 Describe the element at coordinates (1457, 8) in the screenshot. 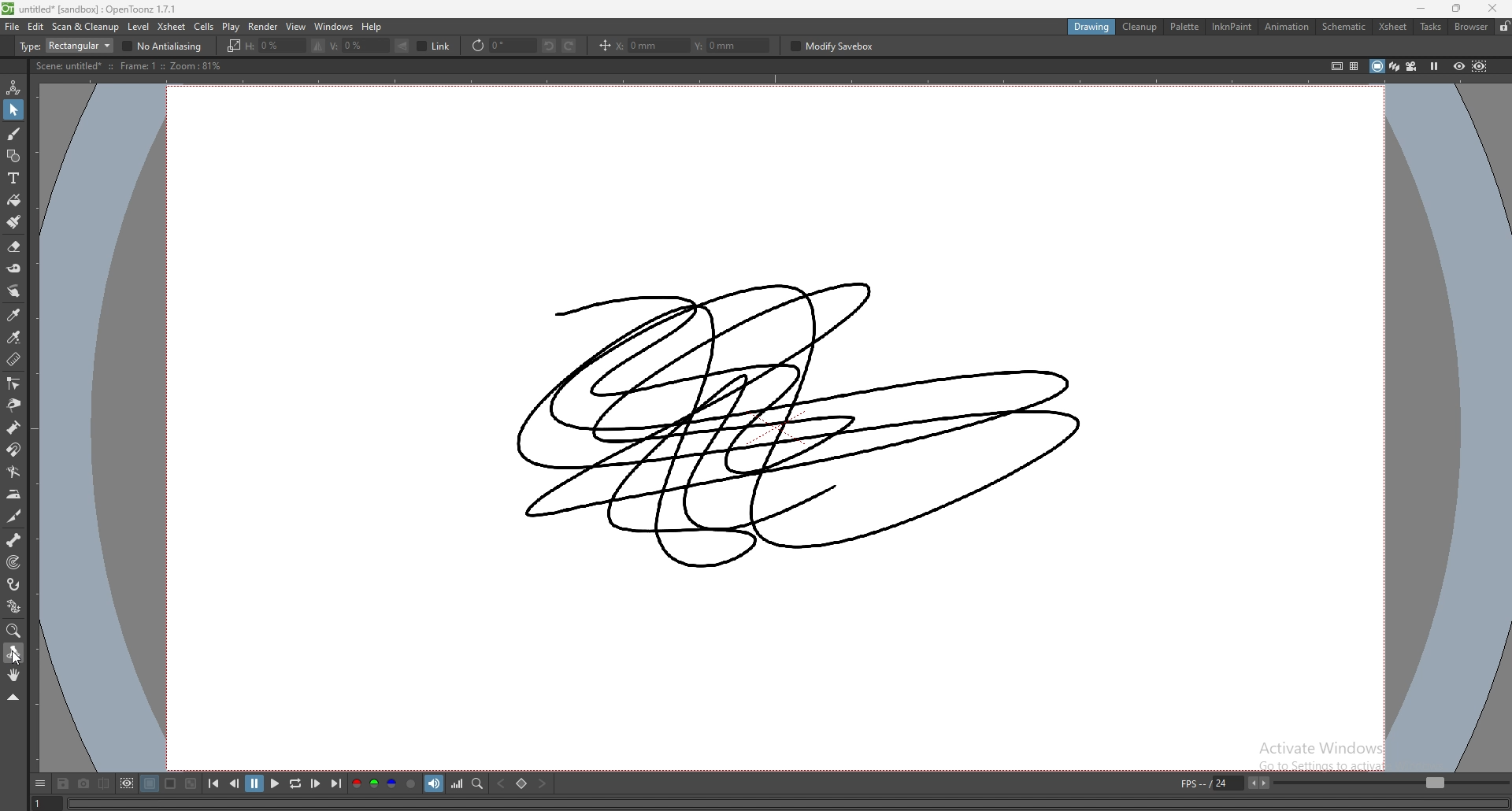

I see `resize` at that location.